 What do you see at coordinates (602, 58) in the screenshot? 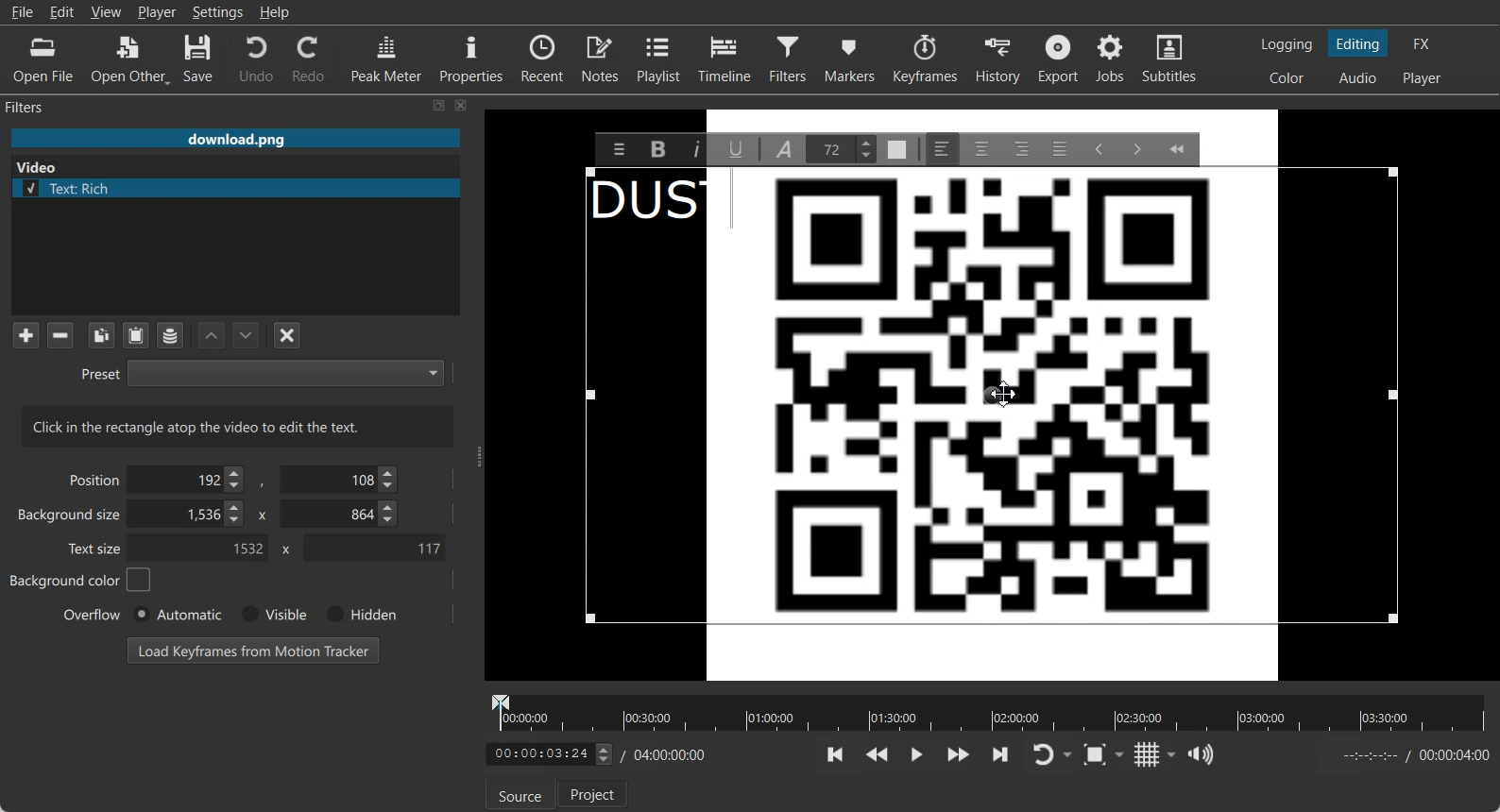
I see `Notes` at bounding box center [602, 58].